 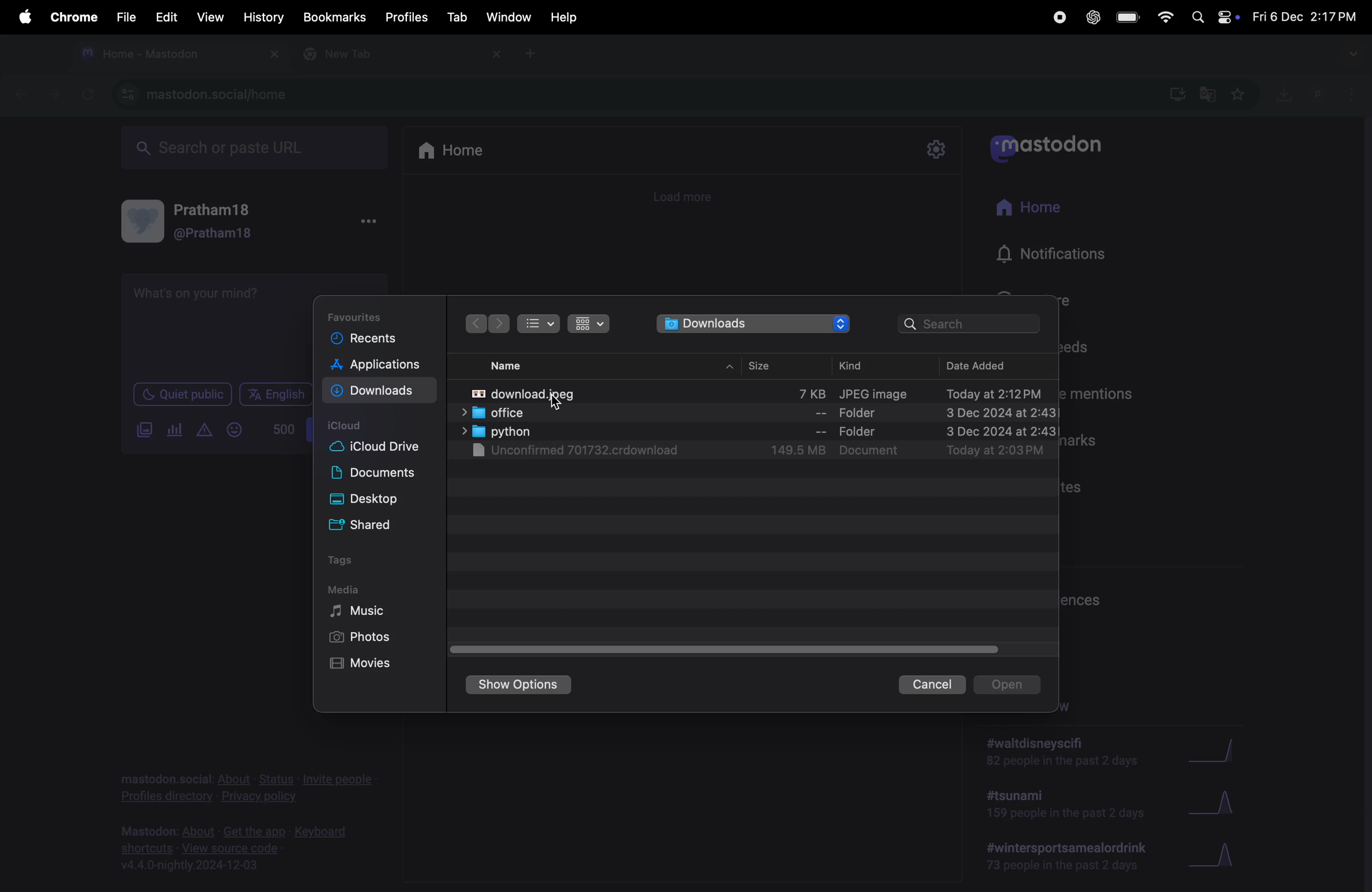 What do you see at coordinates (1058, 17) in the screenshot?
I see `record` at bounding box center [1058, 17].